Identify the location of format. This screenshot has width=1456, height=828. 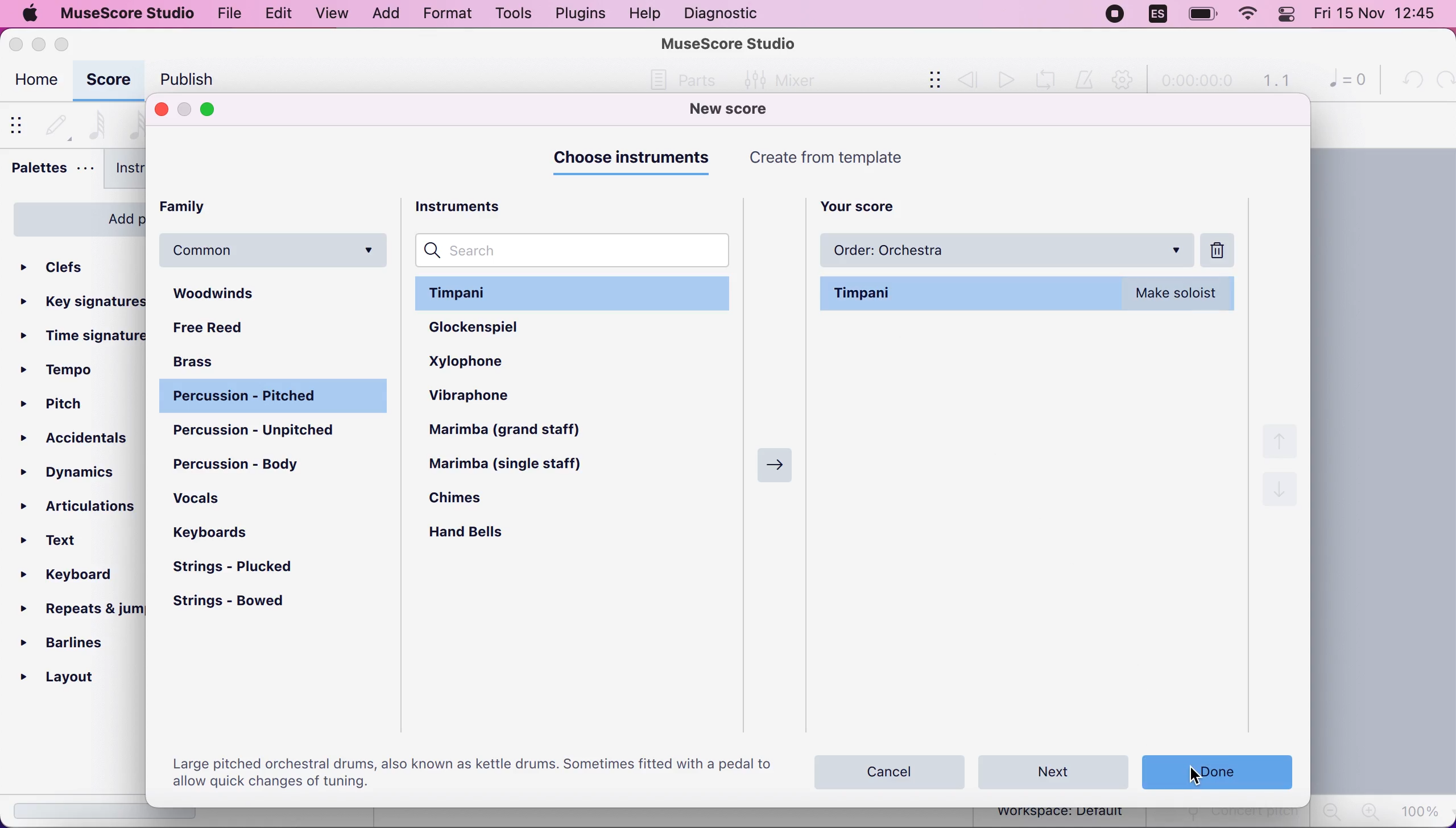
(443, 15).